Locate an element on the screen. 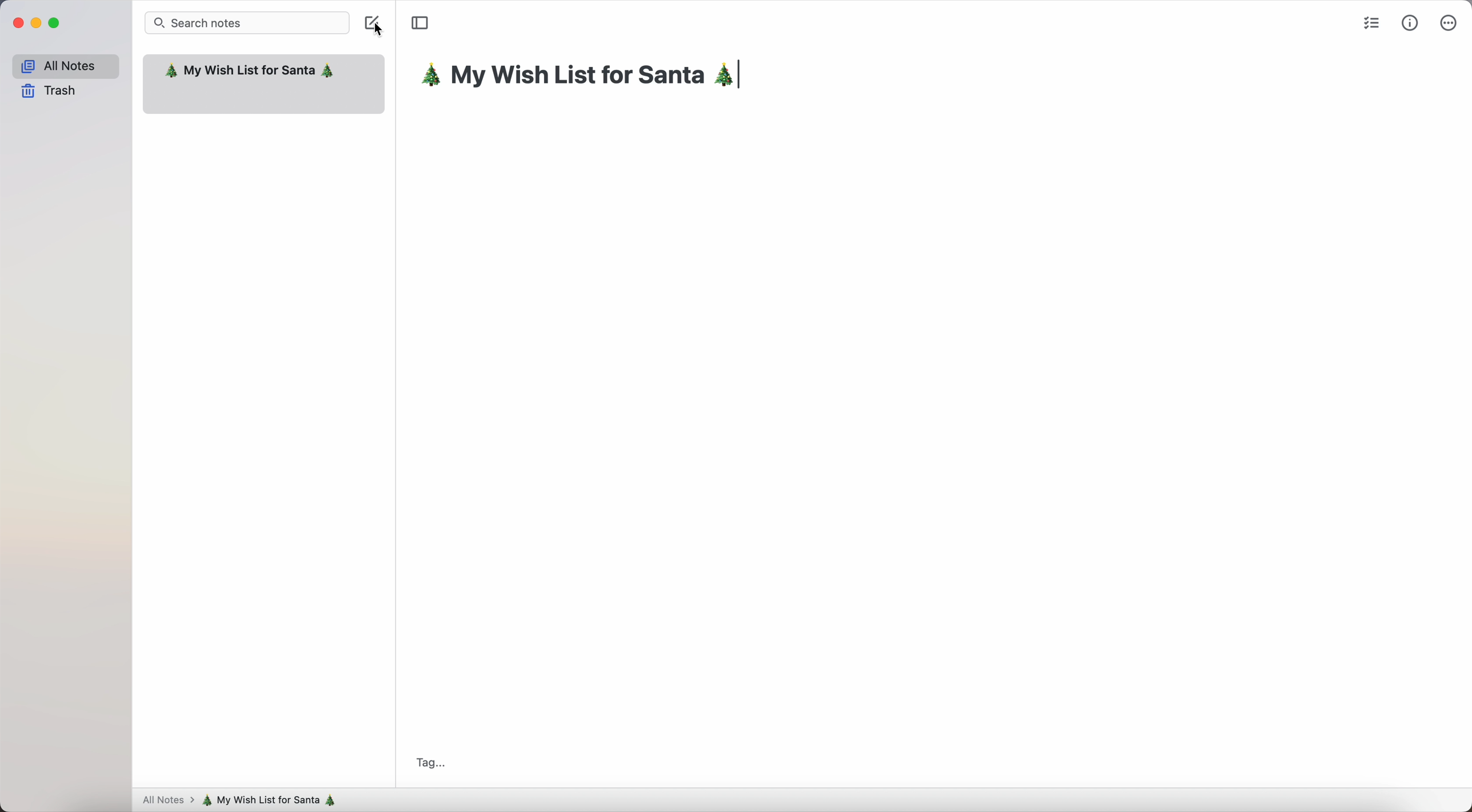 This screenshot has width=1472, height=812. check list is located at coordinates (1369, 22).